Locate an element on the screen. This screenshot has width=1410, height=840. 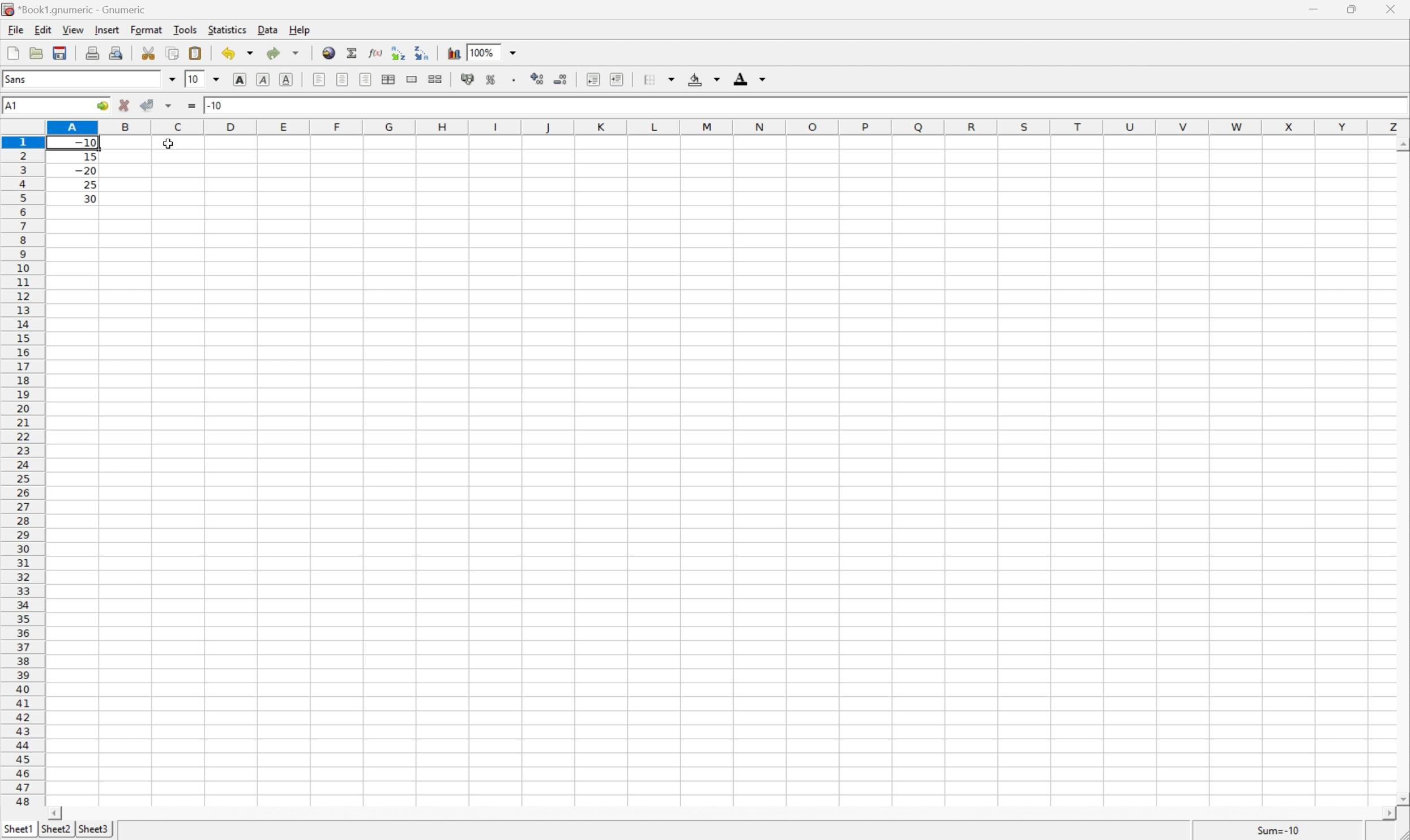
Minimize is located at coordinates (1315, 8).